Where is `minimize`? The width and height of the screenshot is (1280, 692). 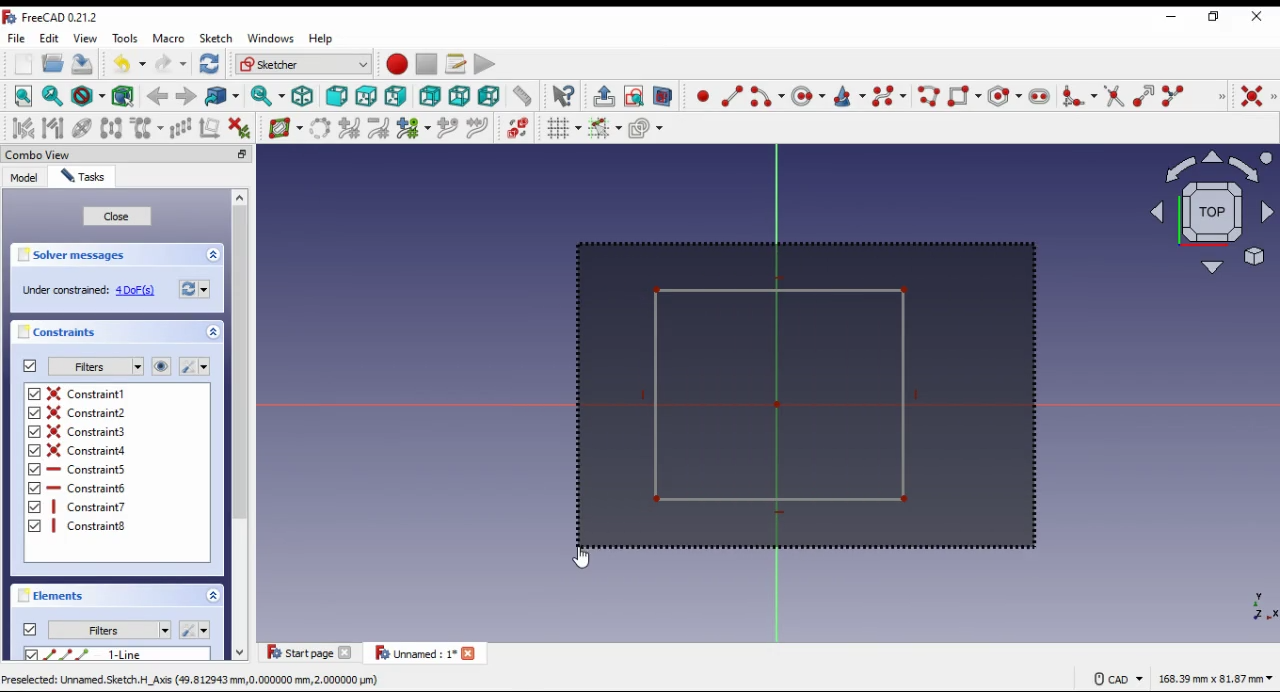 minimize is located at coordinates (1171, 18).